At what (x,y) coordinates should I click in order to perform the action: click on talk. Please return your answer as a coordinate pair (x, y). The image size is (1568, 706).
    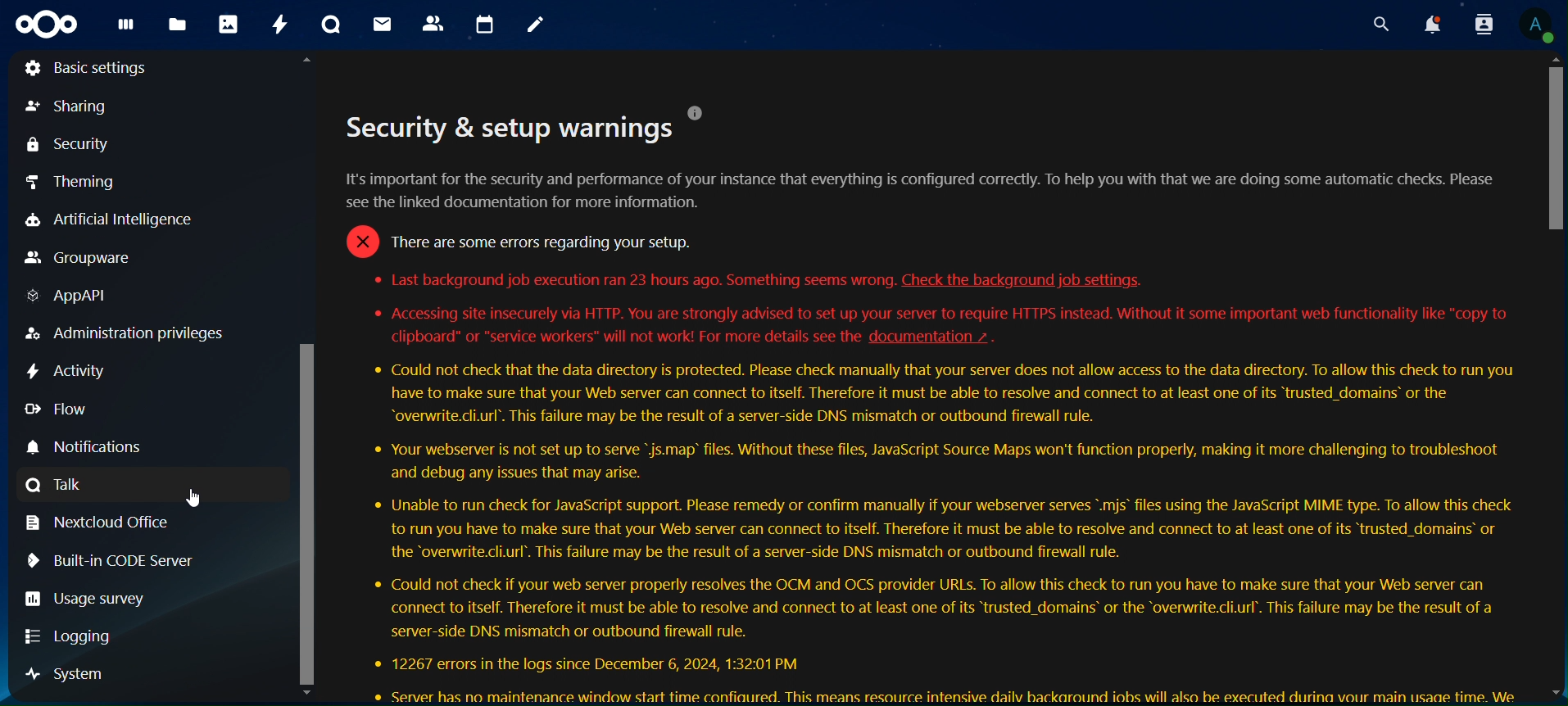
    Looking at the image, I should click on (57, 485).